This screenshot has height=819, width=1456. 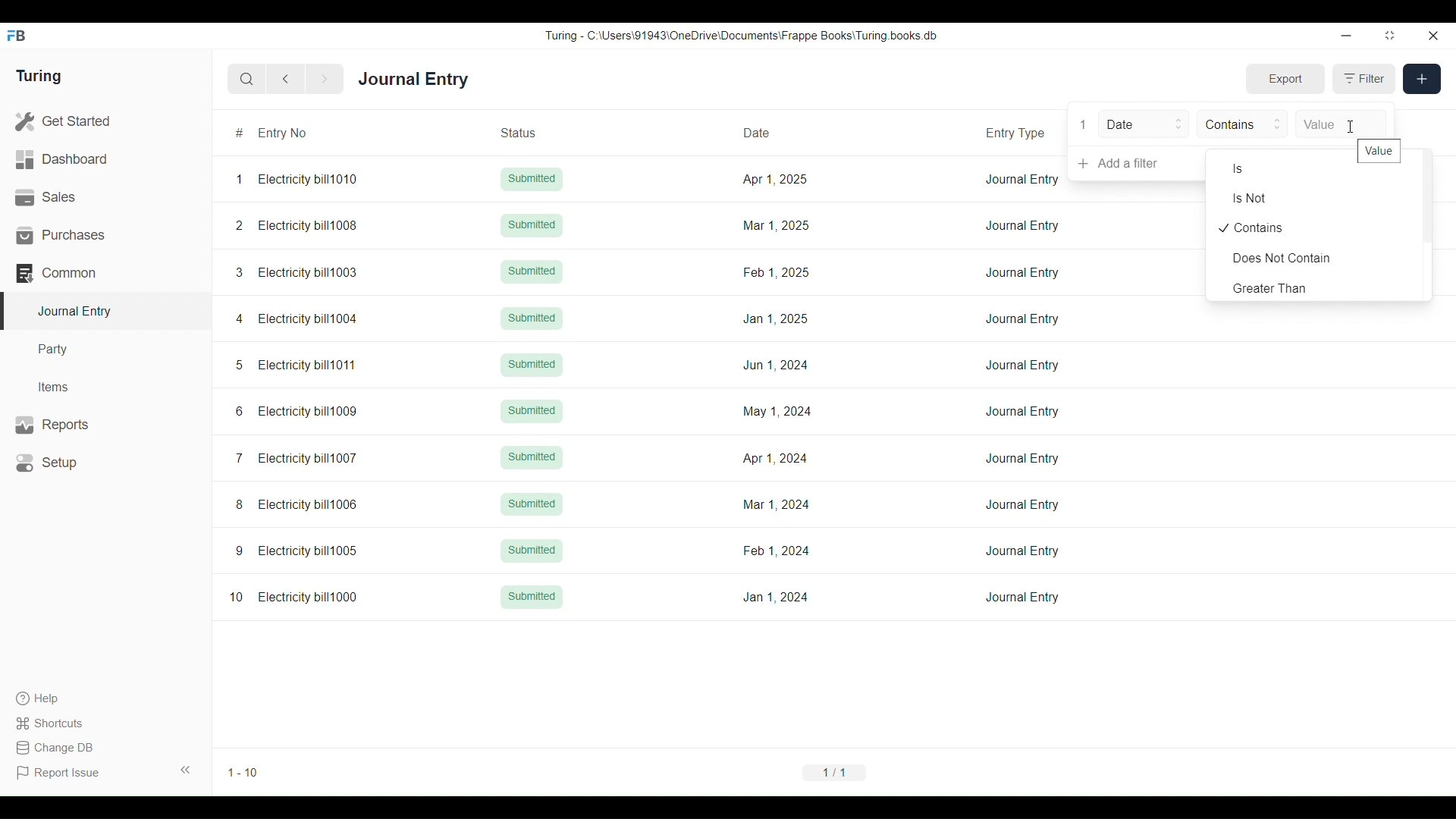 I want to click on Journal Entry, so click(x=1022, y=318).